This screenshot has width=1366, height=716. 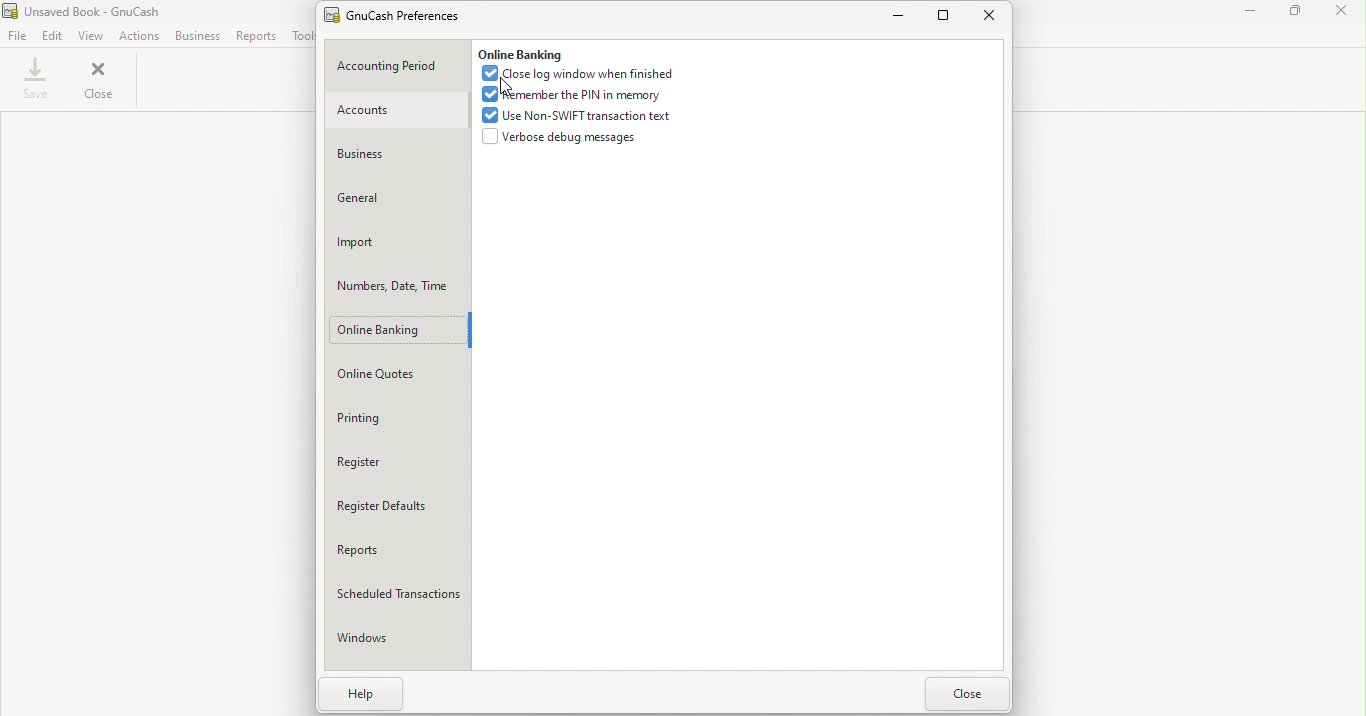 What do you see at coordinates (195, 36) in the screenshot?
I see `Business` at bounding box center [195, 36].